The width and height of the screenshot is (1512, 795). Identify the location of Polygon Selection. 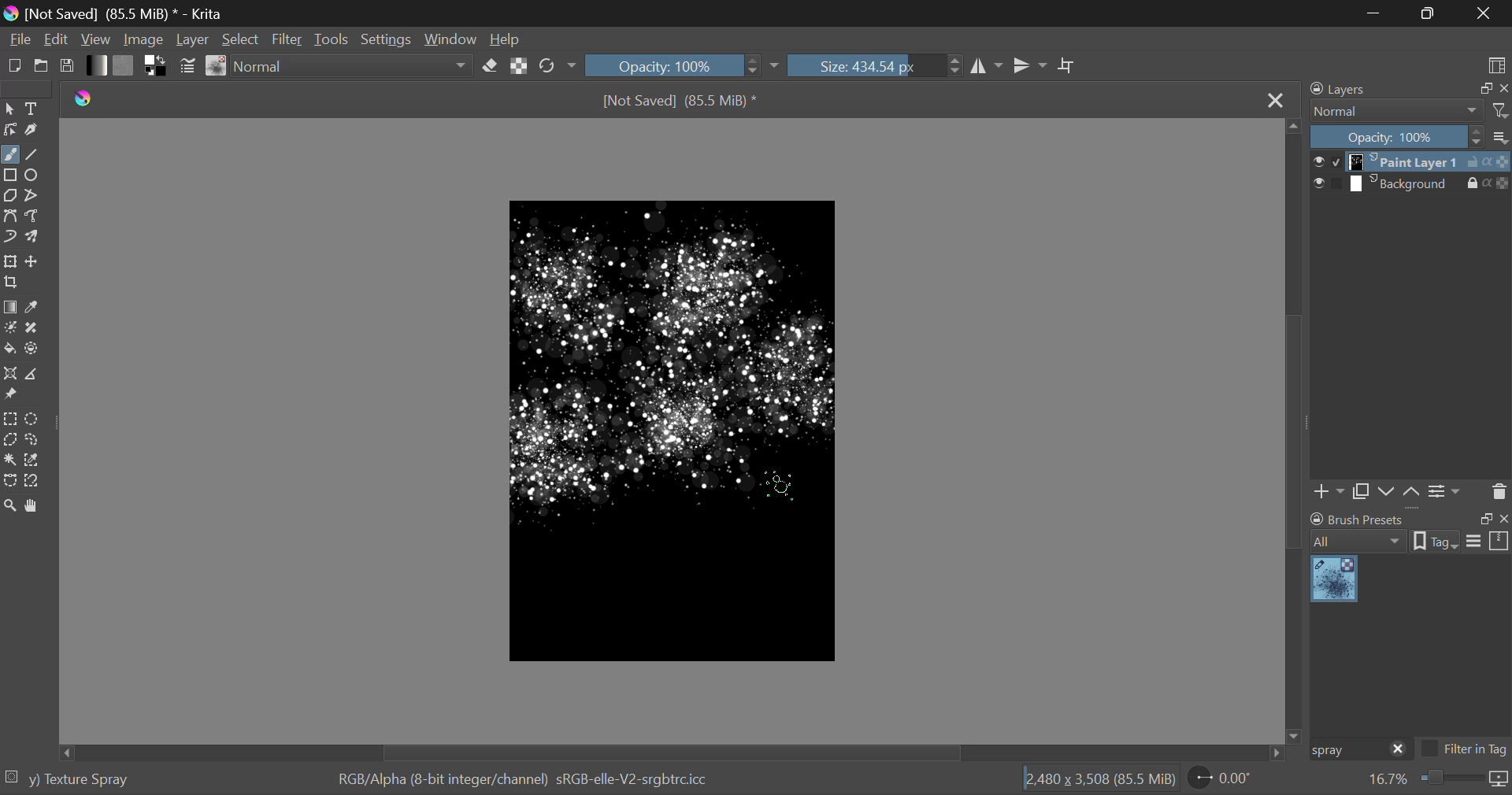
(10, 438).